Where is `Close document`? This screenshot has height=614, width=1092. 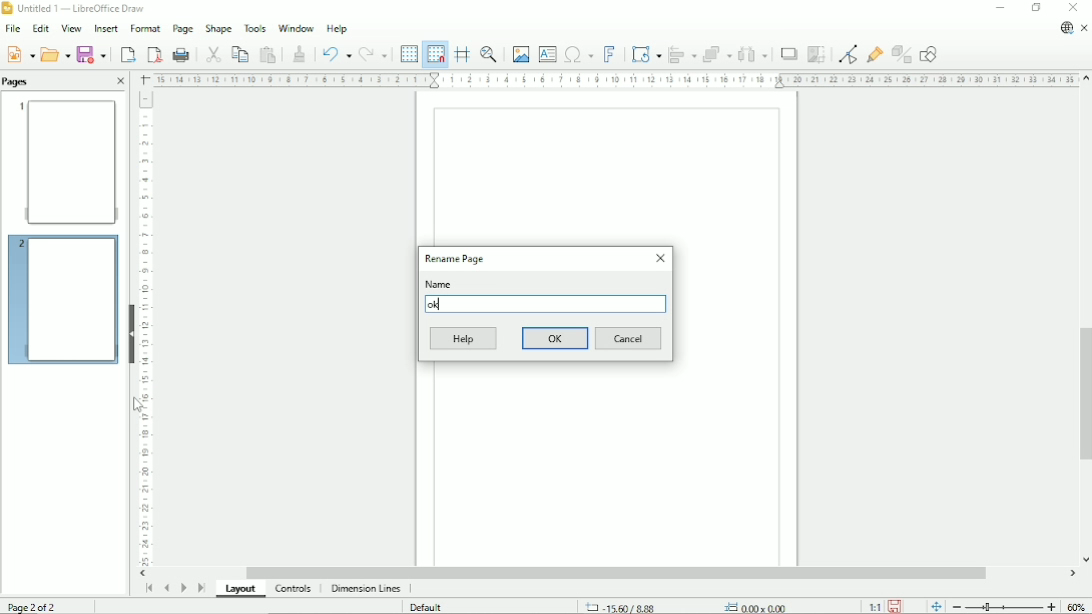 Close document is located at coordinates (1085, 29).